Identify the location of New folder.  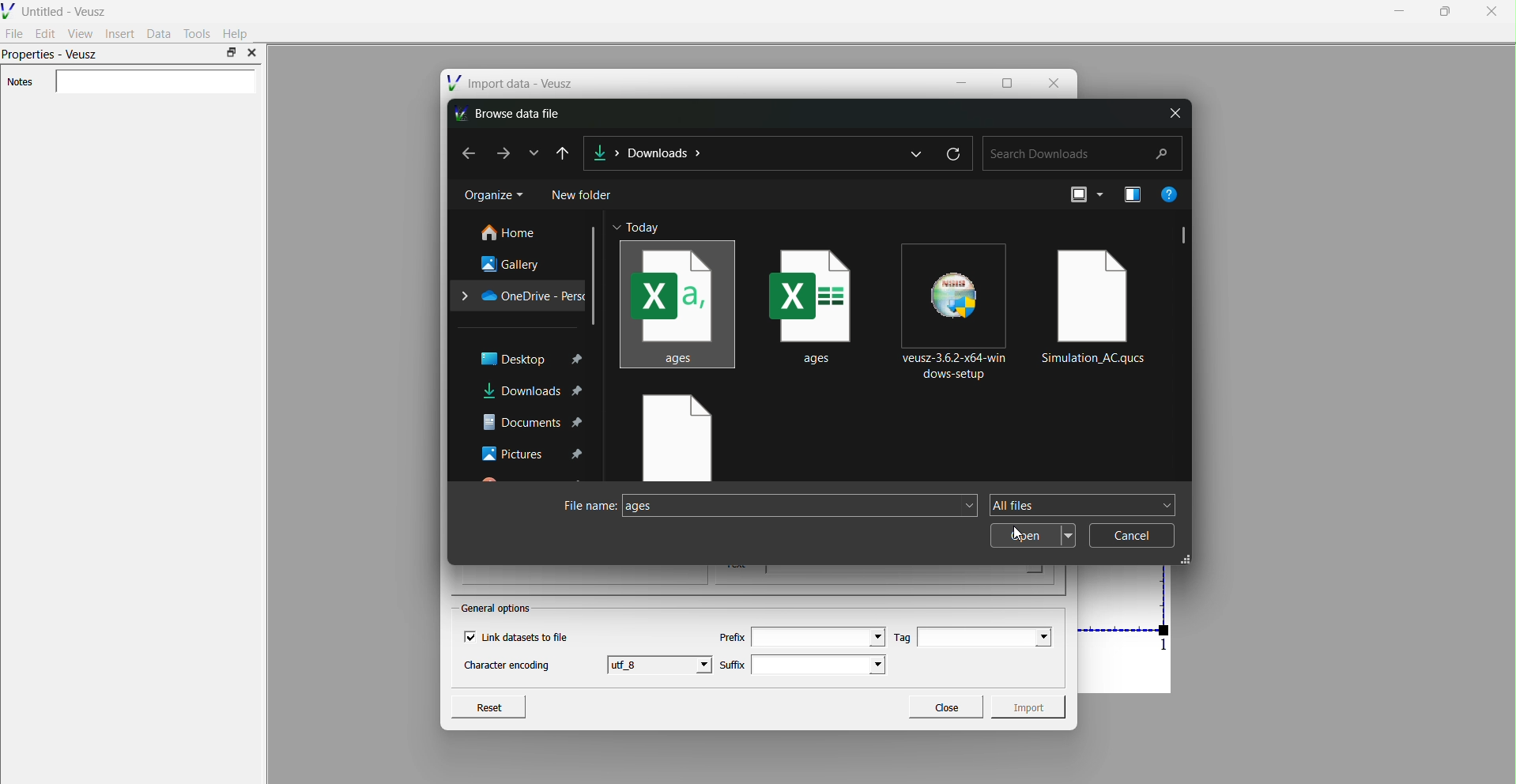
(583, 194).